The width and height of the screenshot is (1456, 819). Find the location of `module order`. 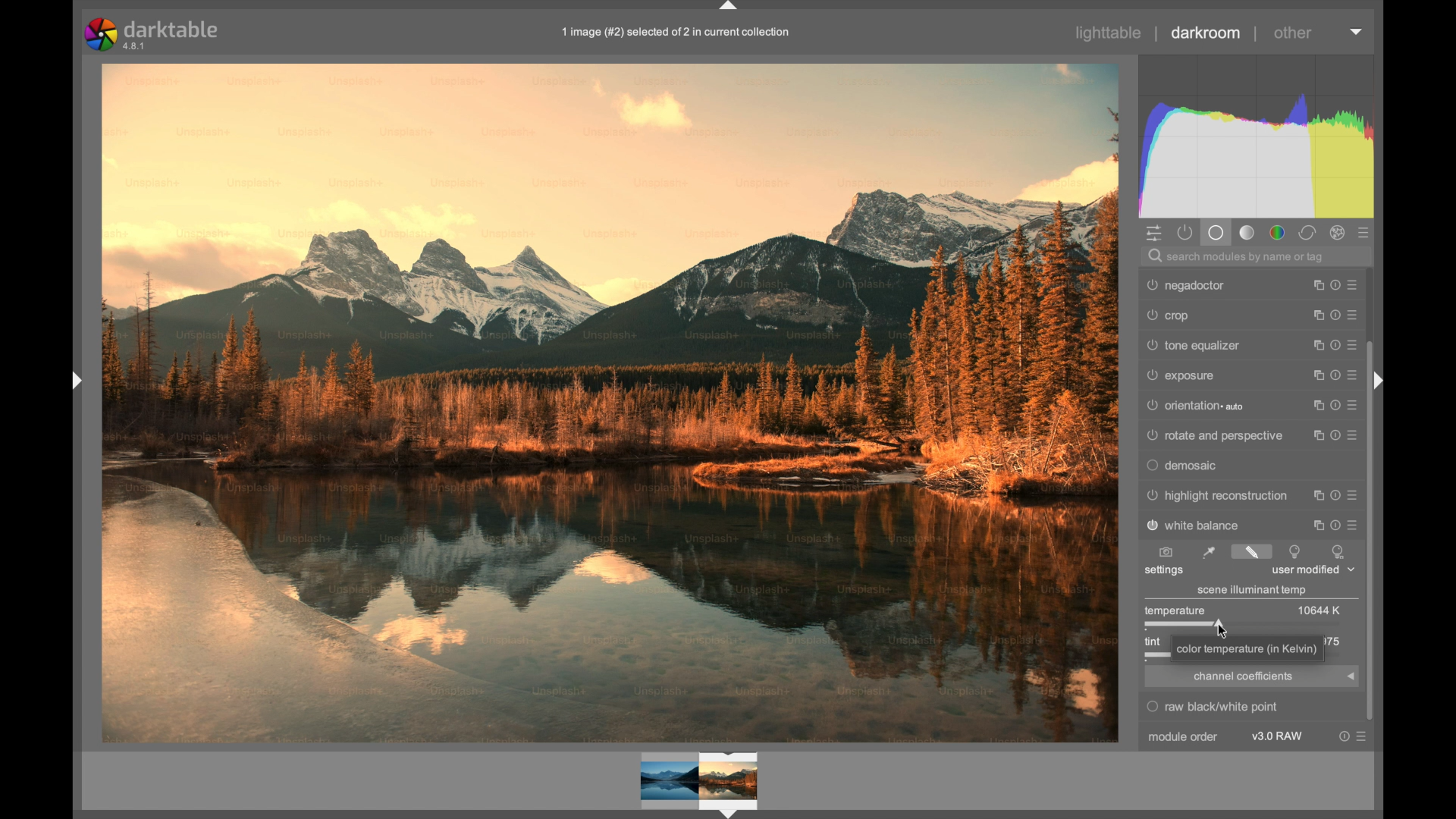

module order is located at coordinates (1184, 738).